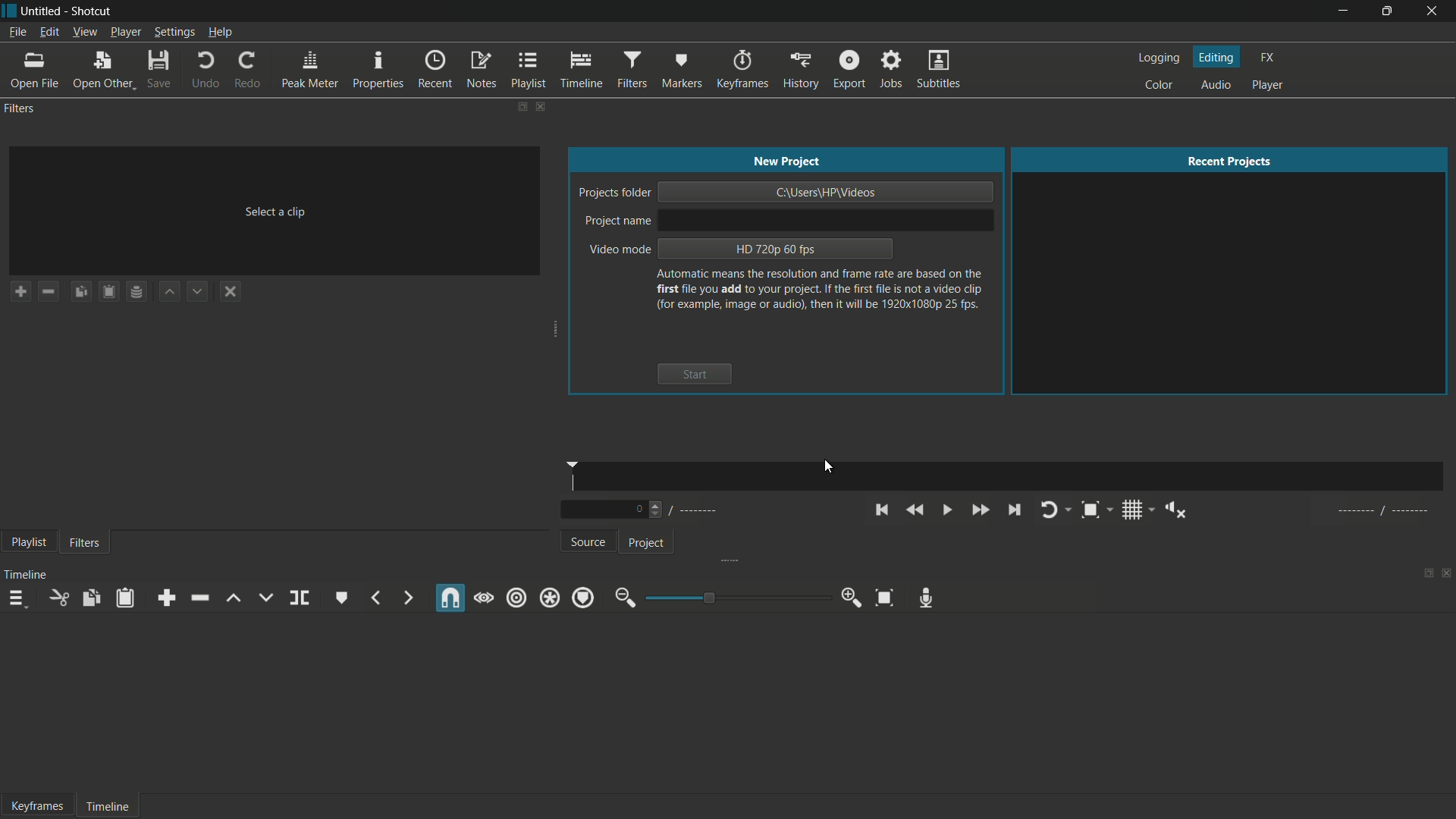  I want to click on file menu, so click(14, 33).